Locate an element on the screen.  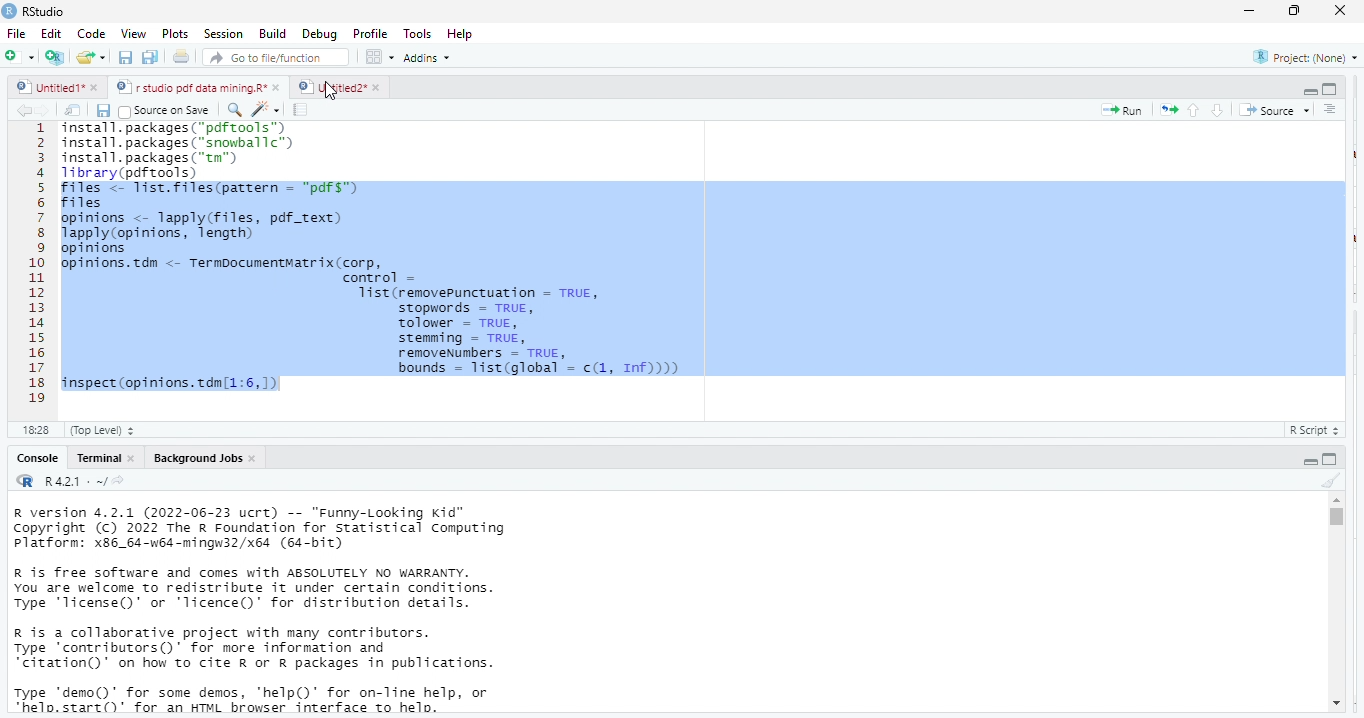
go to file /function is located at coordinates (272, 56).